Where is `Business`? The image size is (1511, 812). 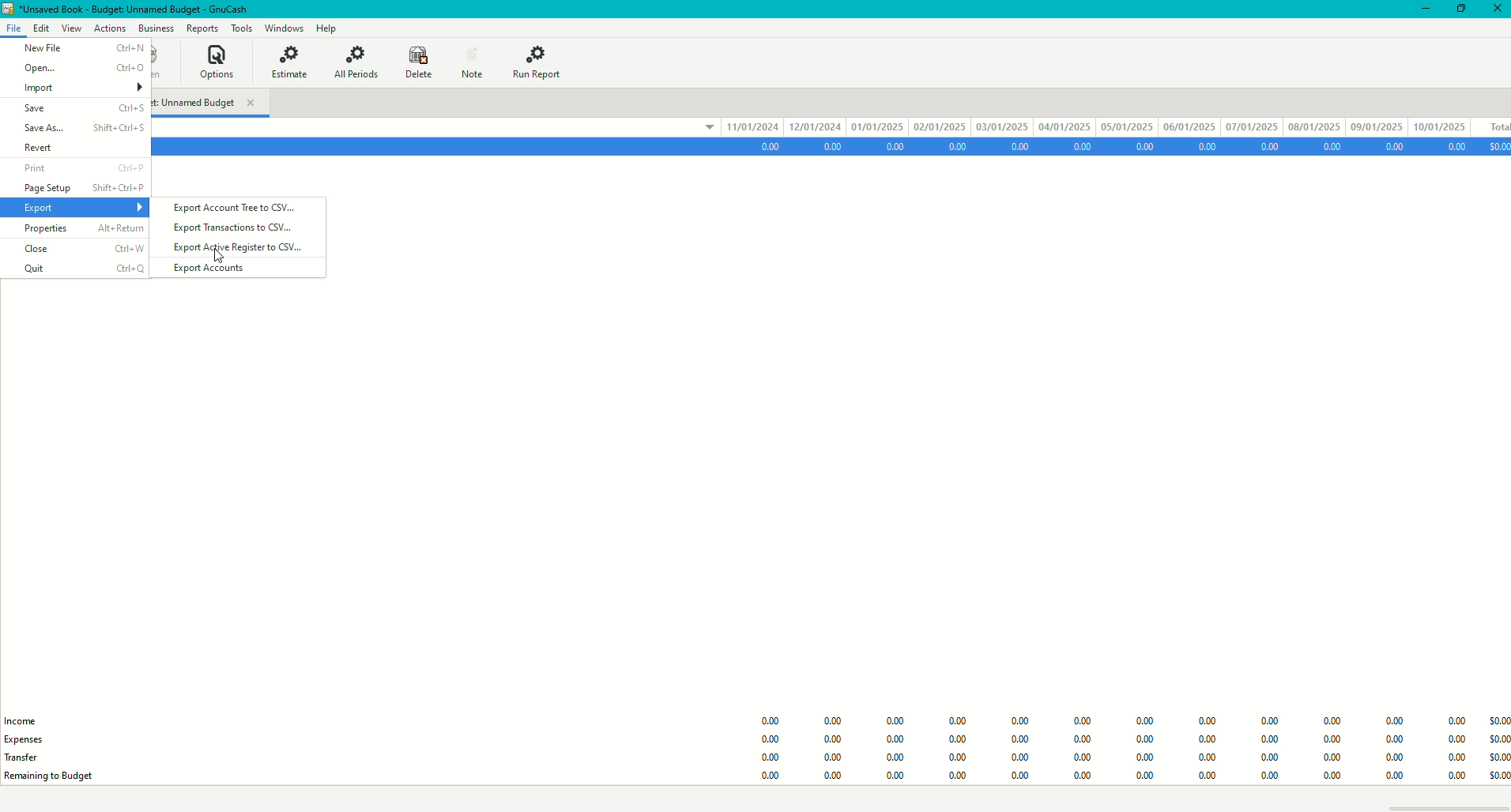
Business is located at coordinates (155, 26).